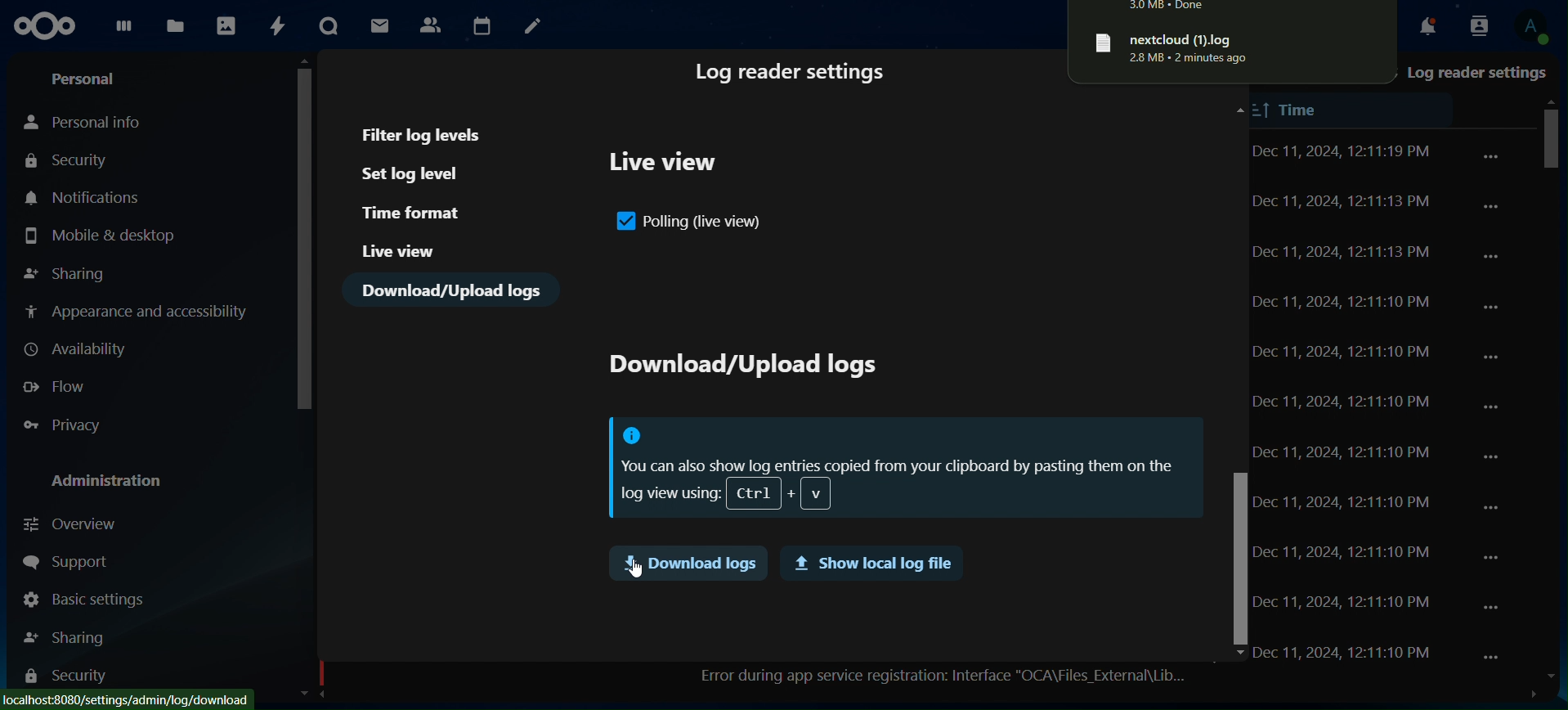 The width and height of the screenshot is (1568, 710). What do you see at coordinates (399, 250) in the screenshot?
I see `live view` at bounding box center [399, 250].